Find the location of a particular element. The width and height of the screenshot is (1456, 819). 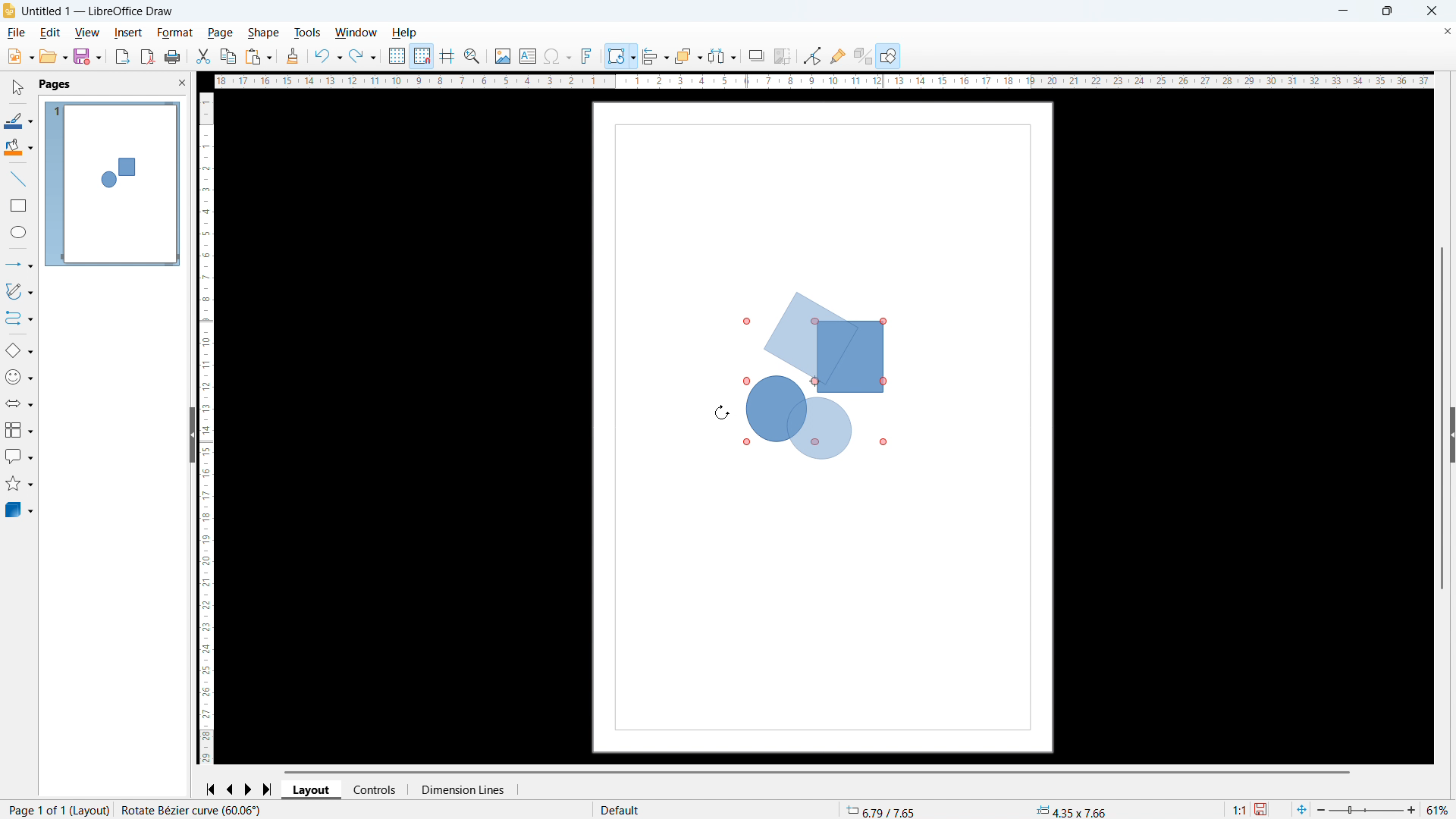

Google extrusion  is located at coordinates (862, 56).